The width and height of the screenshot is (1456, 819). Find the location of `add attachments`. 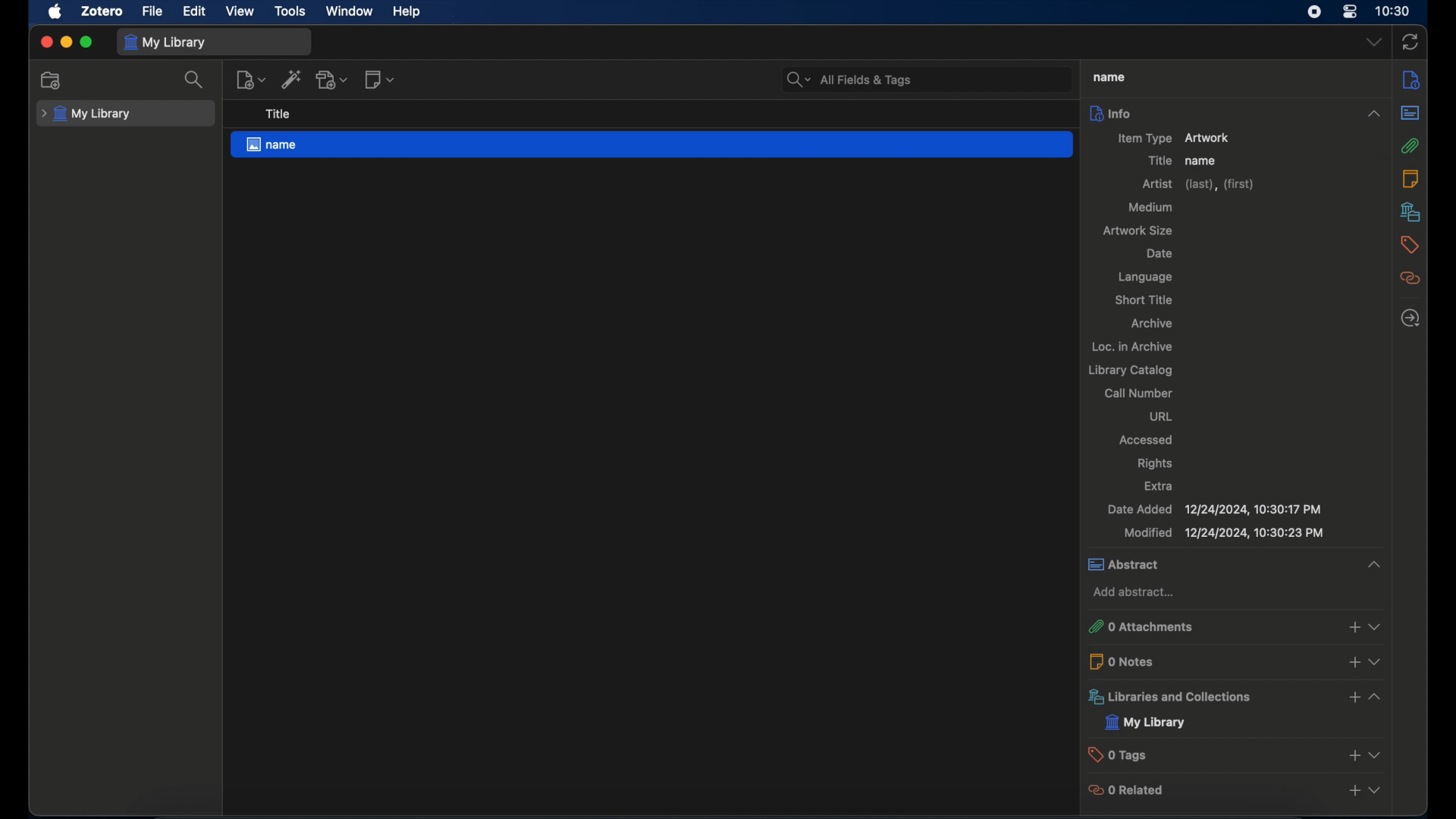

add attachments is located at coordinates (332, 80).